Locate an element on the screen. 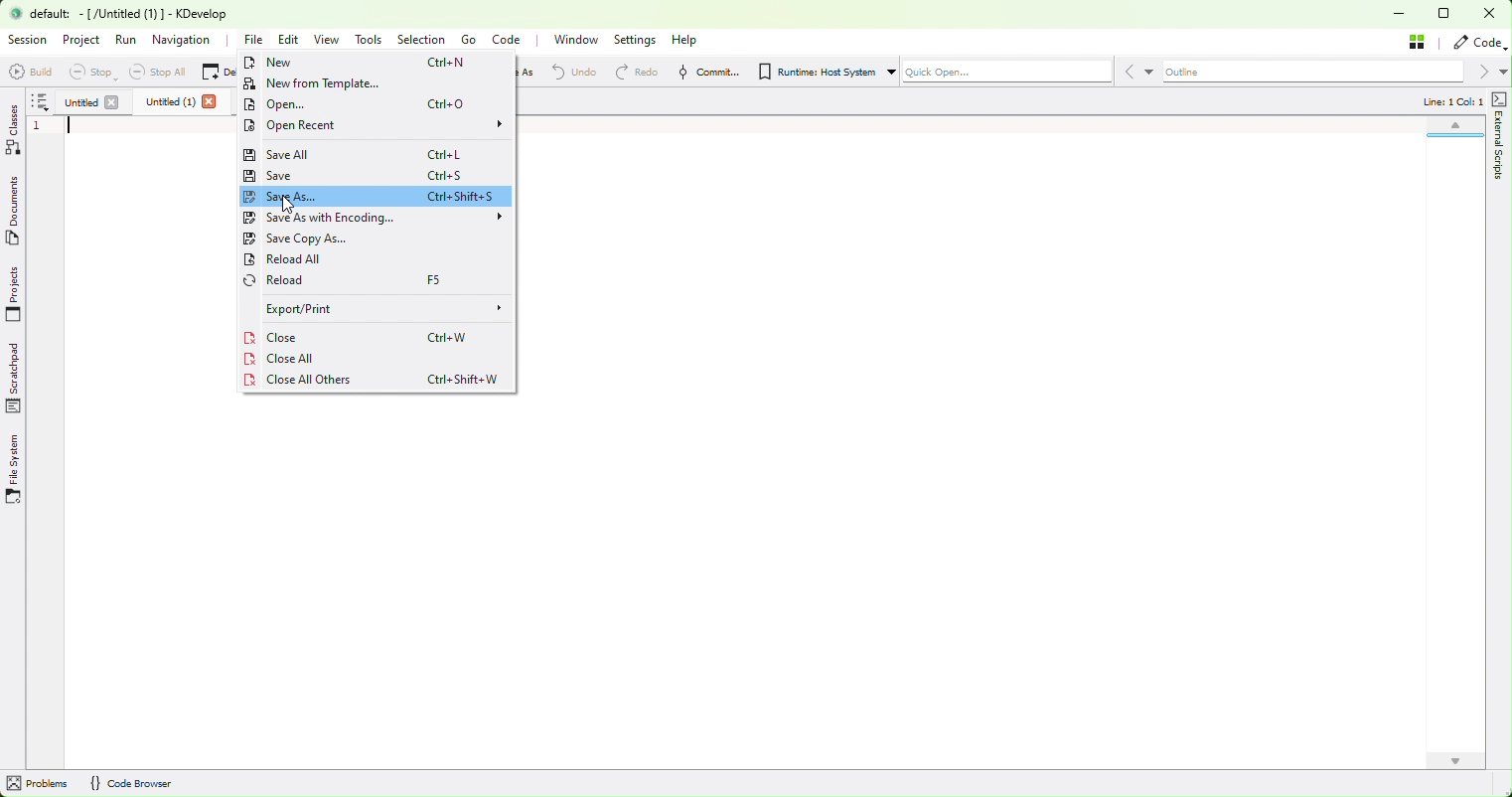 The width and height of the screenshot is (1512, 797). Close is located at coordinates (289, 339).